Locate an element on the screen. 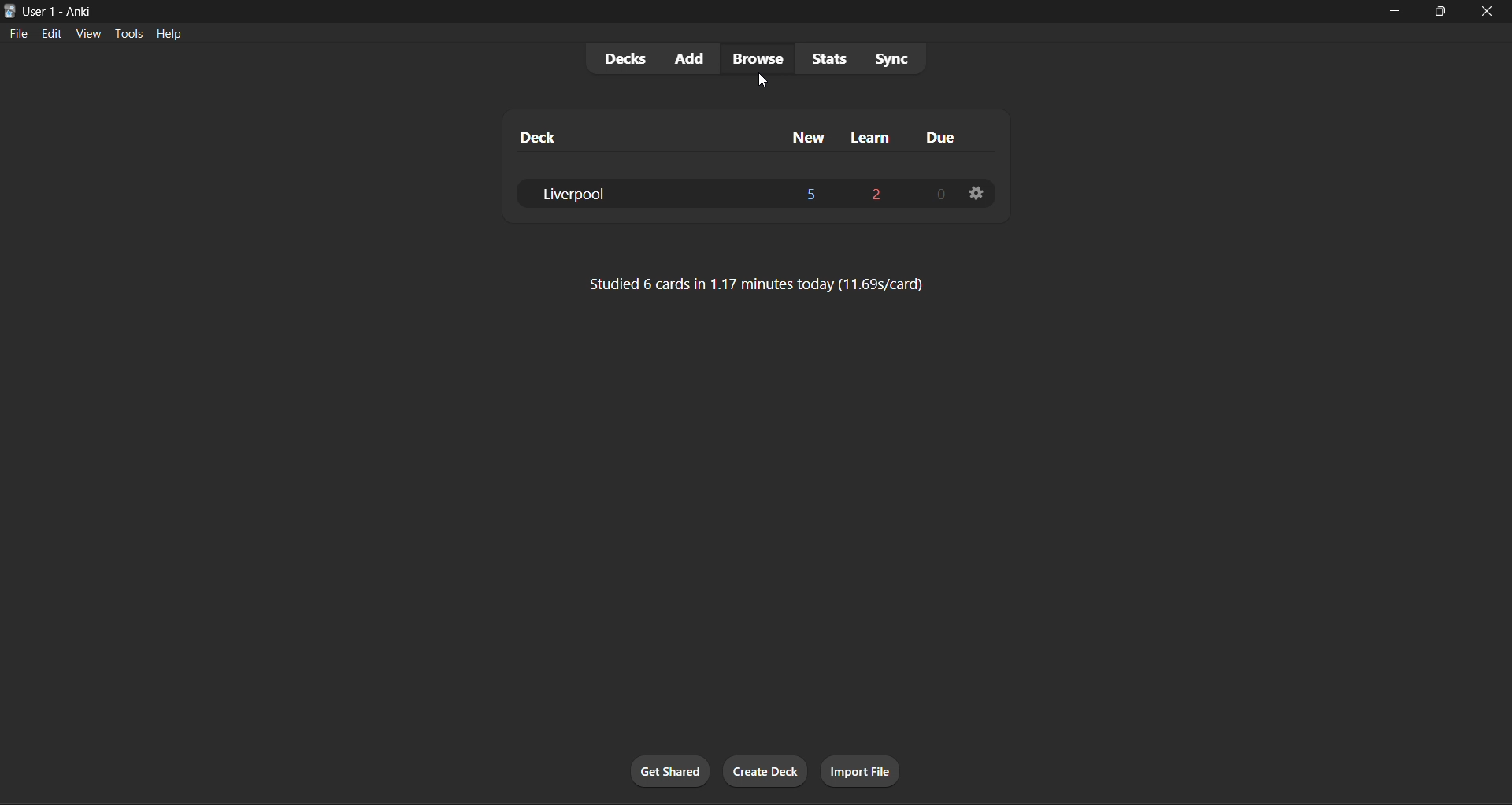 This screenshot has height=805, width=1512. deck settings is located at coordinates (977, 195).